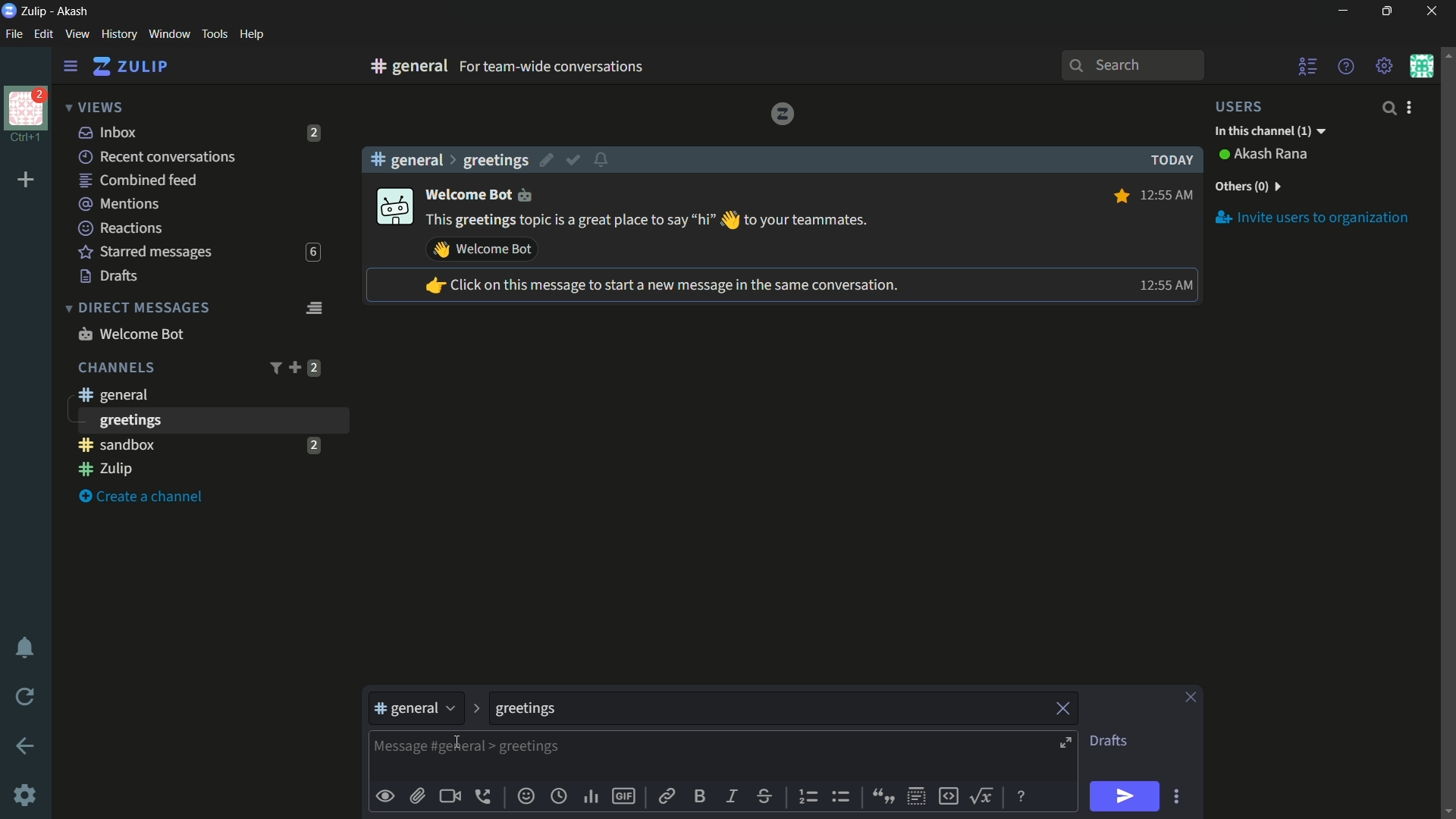  What do you see at coordinates (840, 795) in the screenshot?
I see `underordered list` at bounding box center [840, 795].